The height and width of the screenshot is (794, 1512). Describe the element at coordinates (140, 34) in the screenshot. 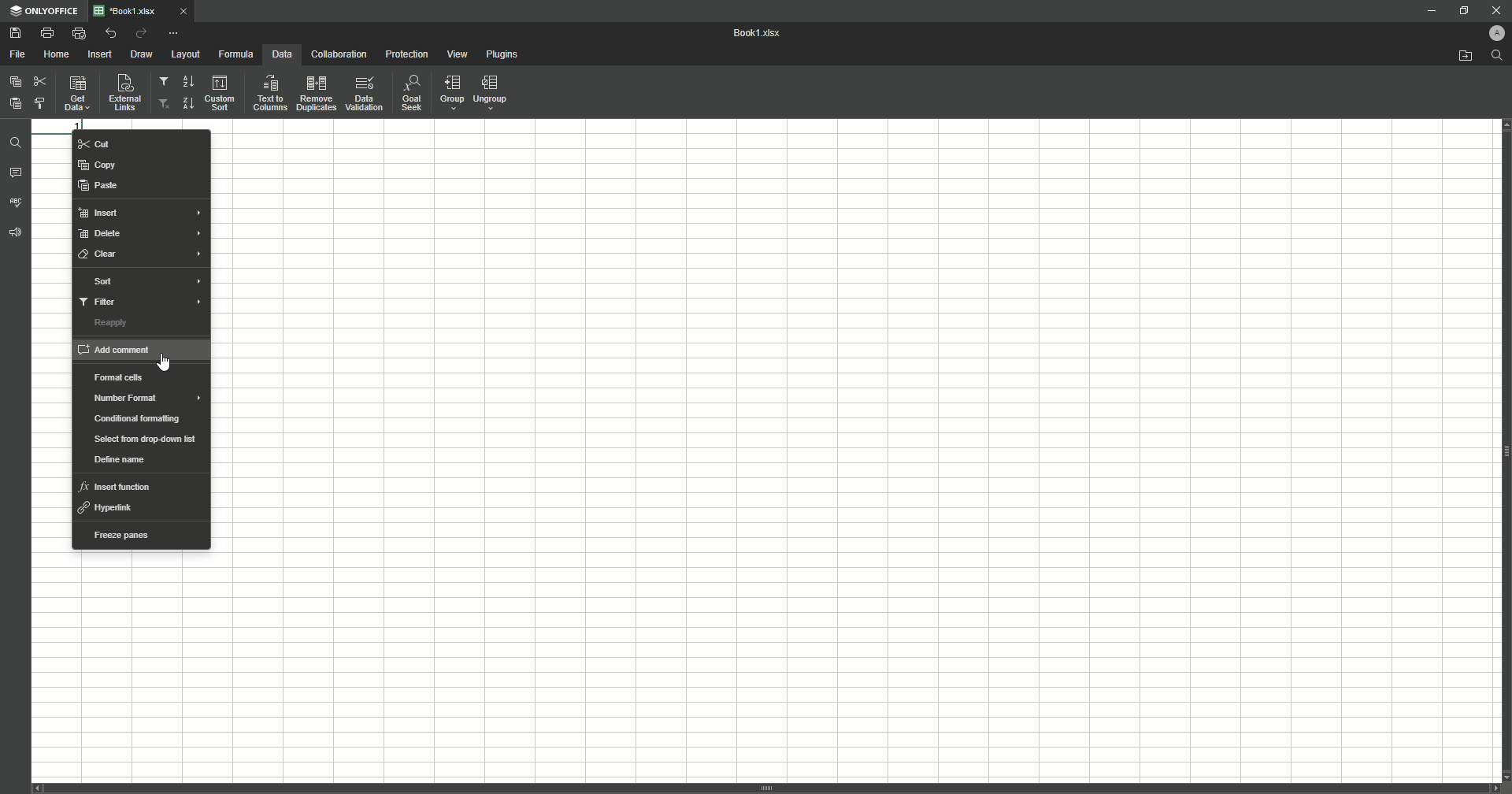

I see `Redo` at that location.